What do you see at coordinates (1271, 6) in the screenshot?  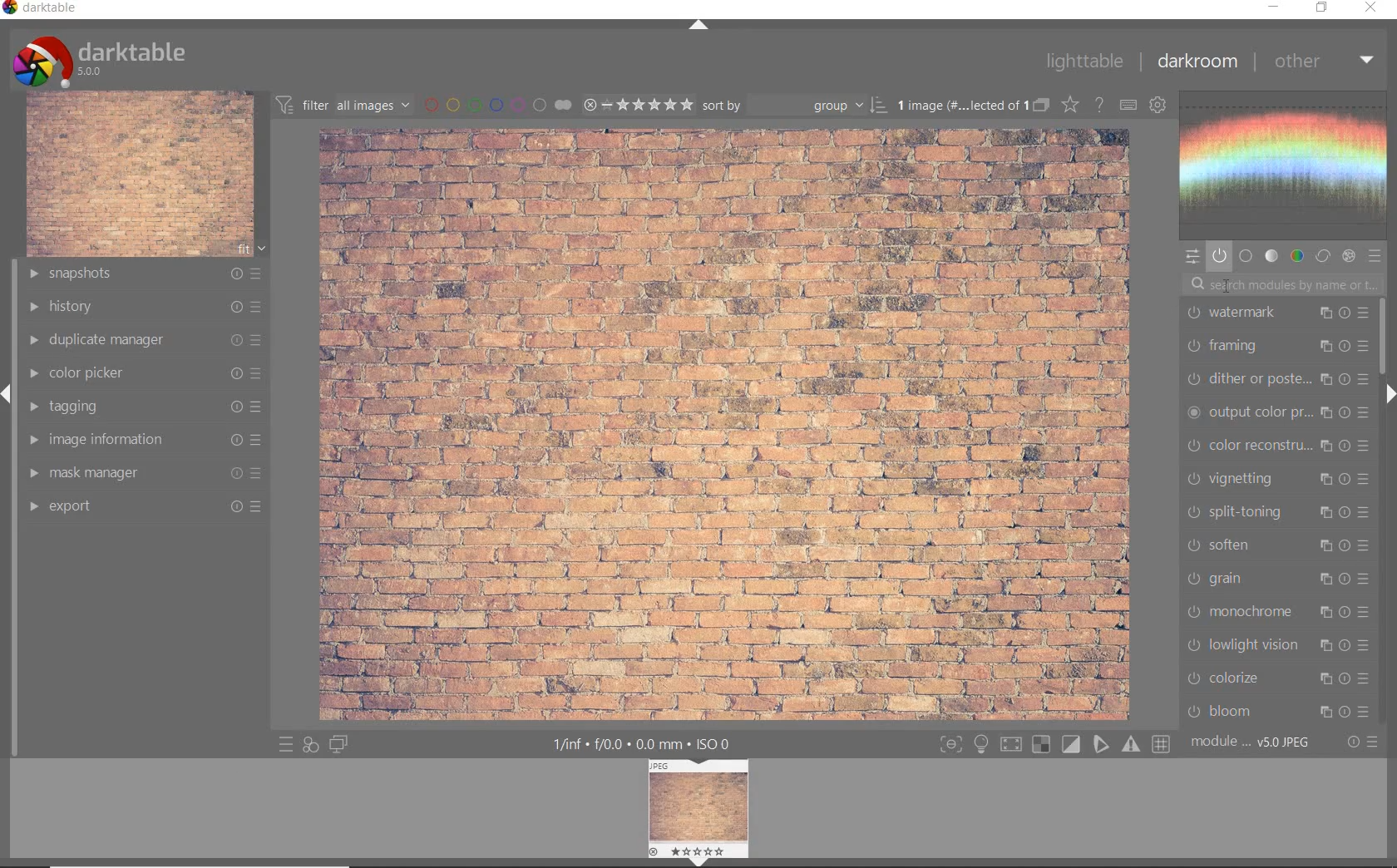 I see `minimize` at bounding box center [1271, 6].